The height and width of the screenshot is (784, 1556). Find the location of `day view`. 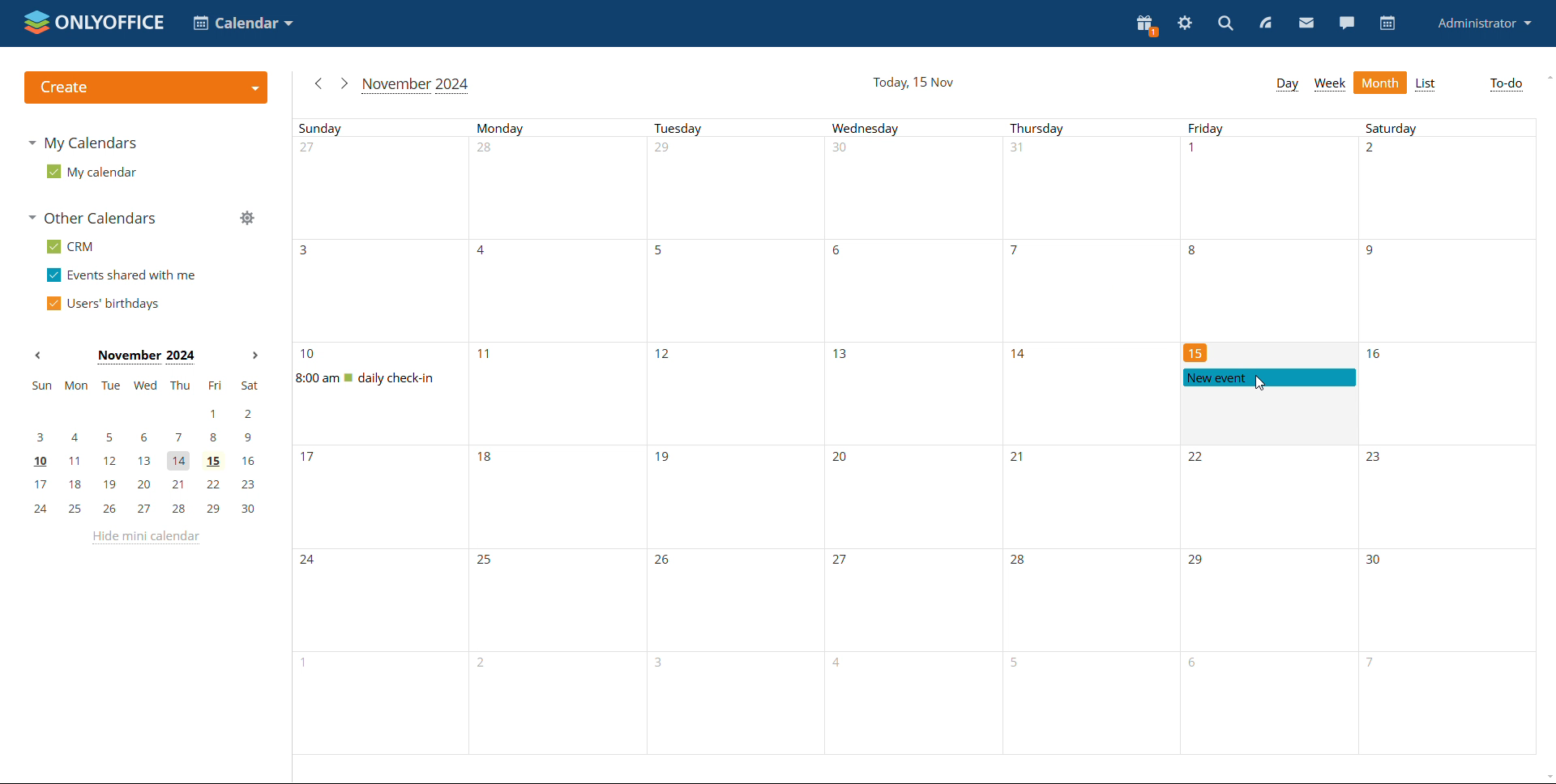

day view is located at coordinates (1287, 84).